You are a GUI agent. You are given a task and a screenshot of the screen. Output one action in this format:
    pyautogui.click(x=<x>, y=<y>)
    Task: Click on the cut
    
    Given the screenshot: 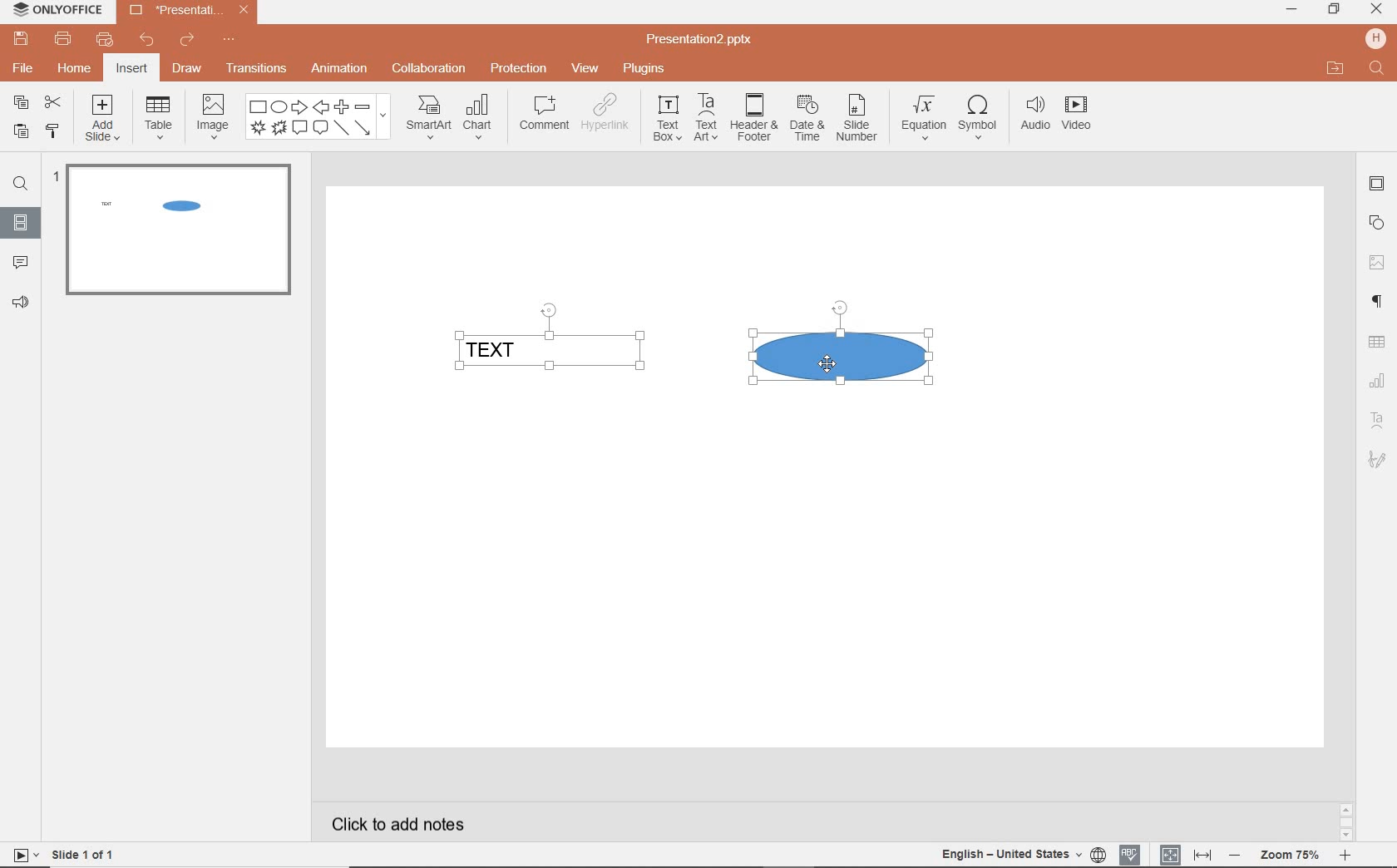 What is the action you would take?
    pyautogui.click(x=53, y=104)
    